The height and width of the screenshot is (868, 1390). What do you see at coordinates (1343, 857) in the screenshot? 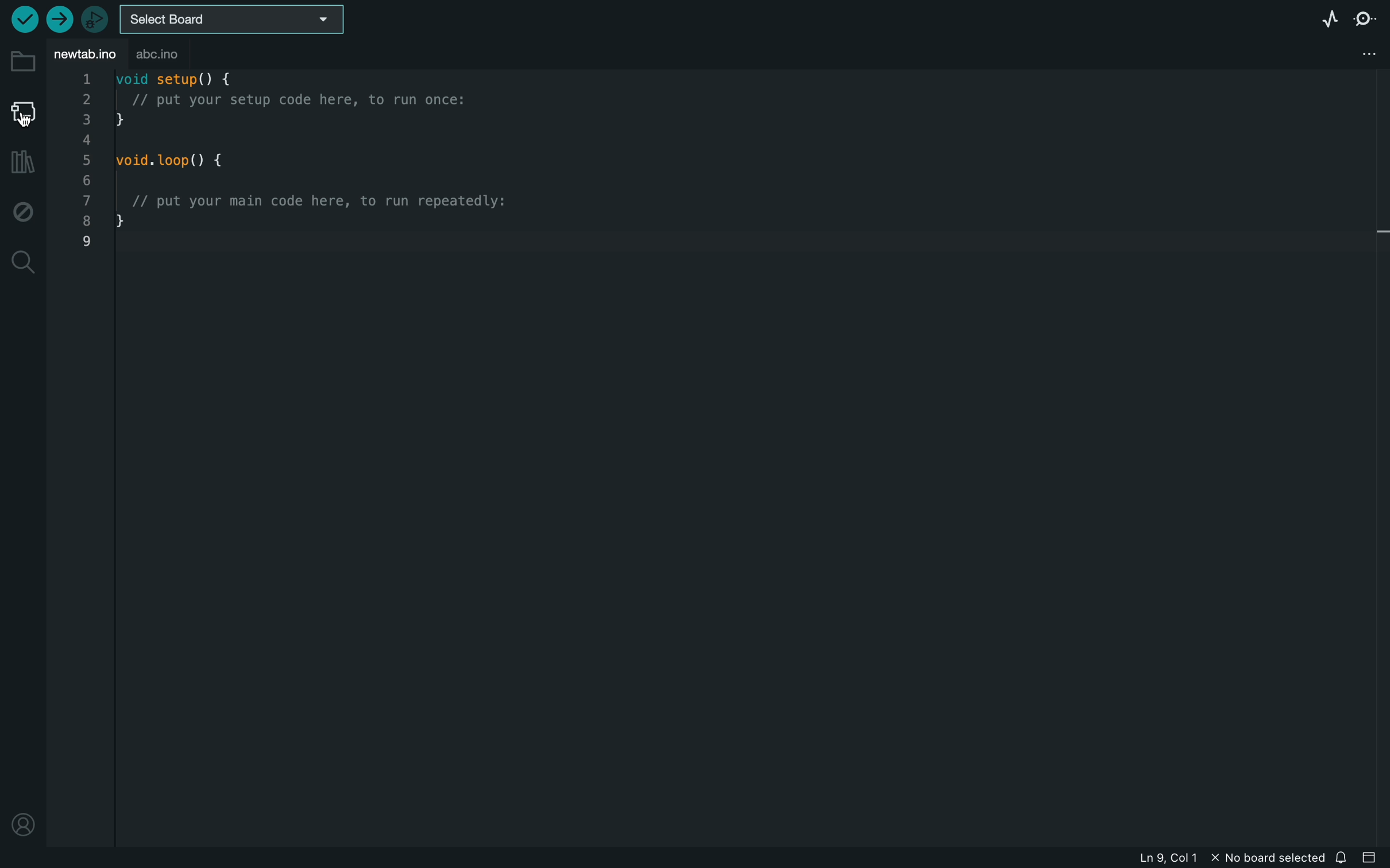
I see `notification` at bounding box center [1343, 857].